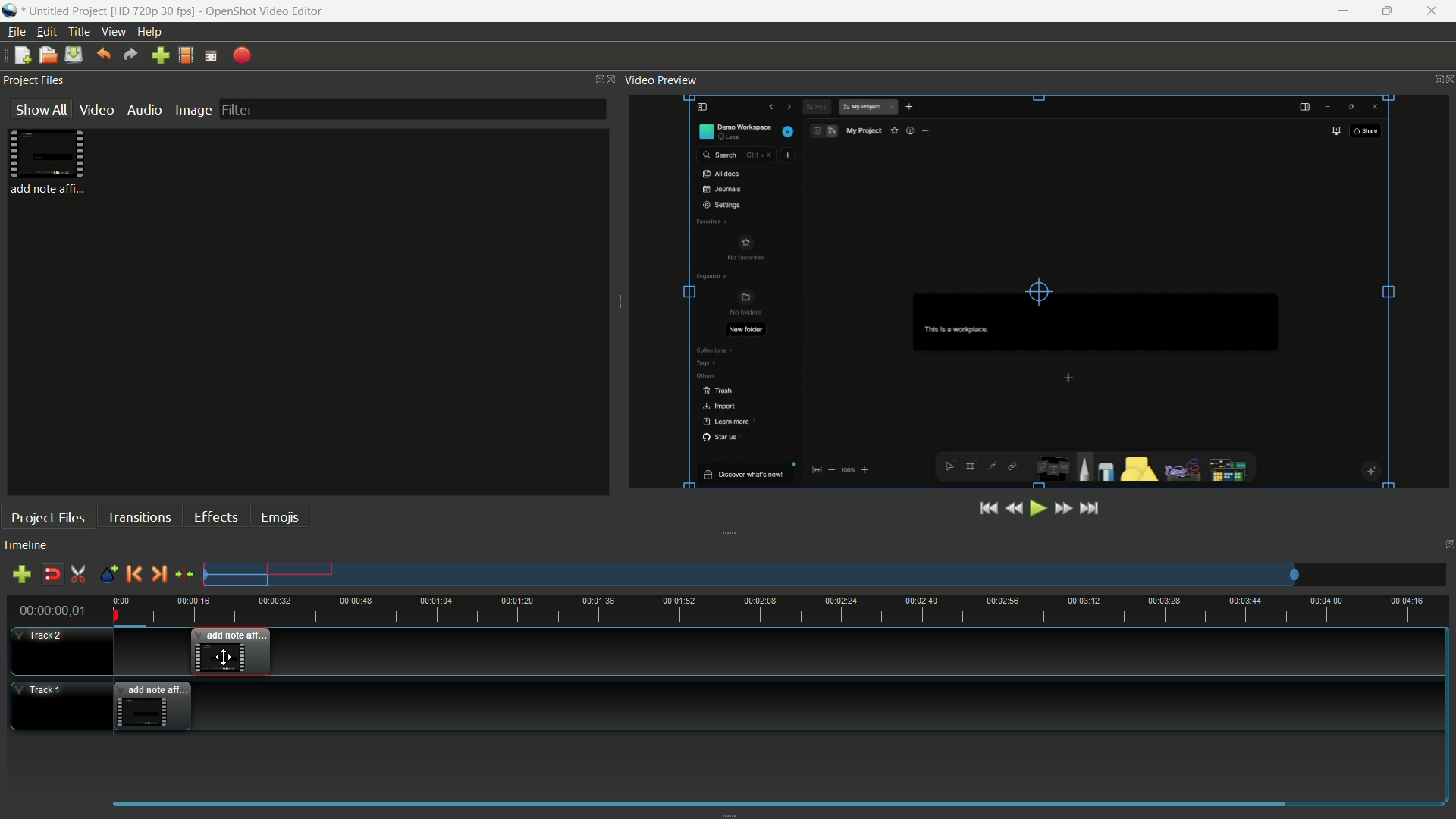 The height and width of the screenshot is (819, 1456). I want to click on fullscreen, so click(212, 55).